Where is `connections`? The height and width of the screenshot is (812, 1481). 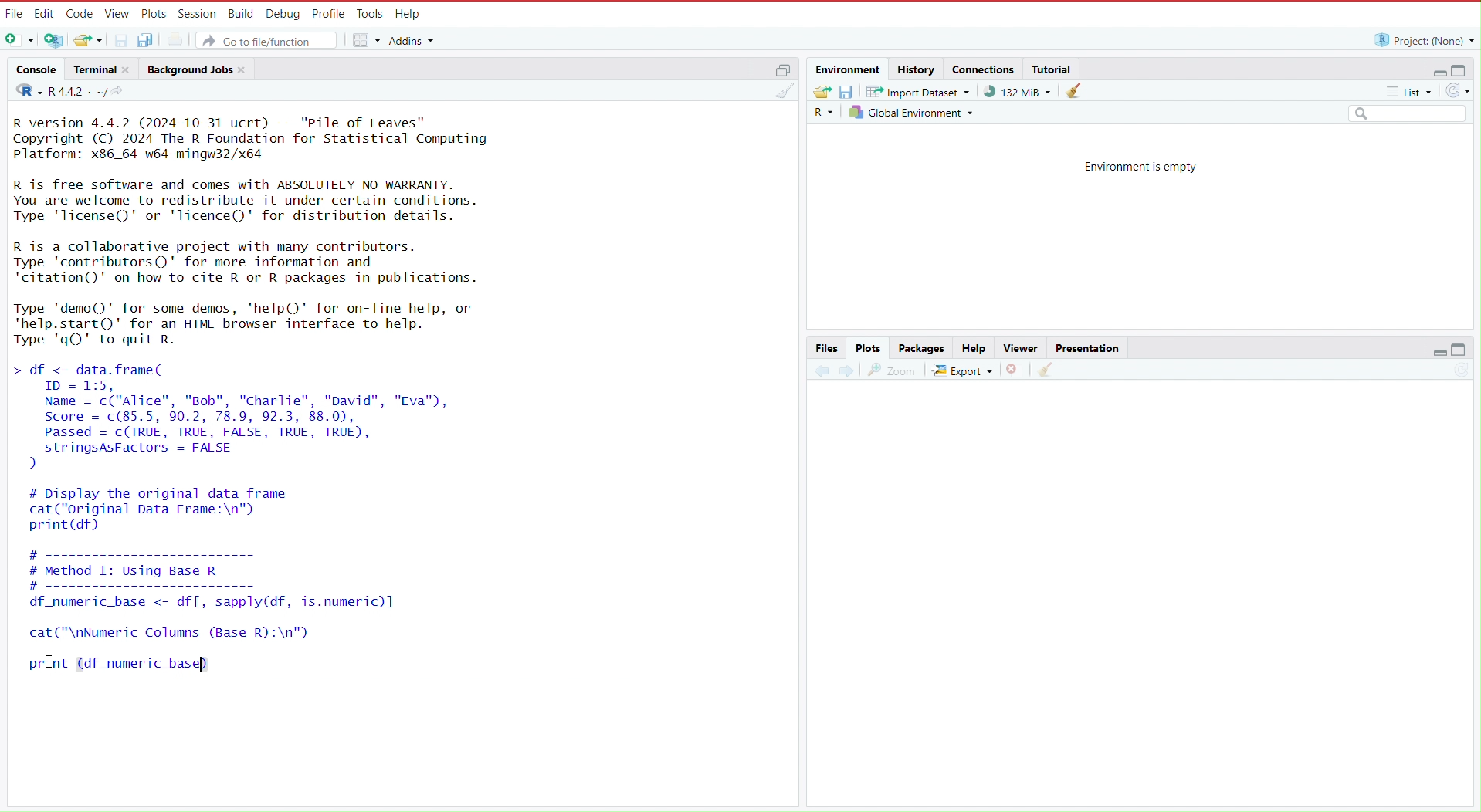 connections is located at coordinates (983, 67).